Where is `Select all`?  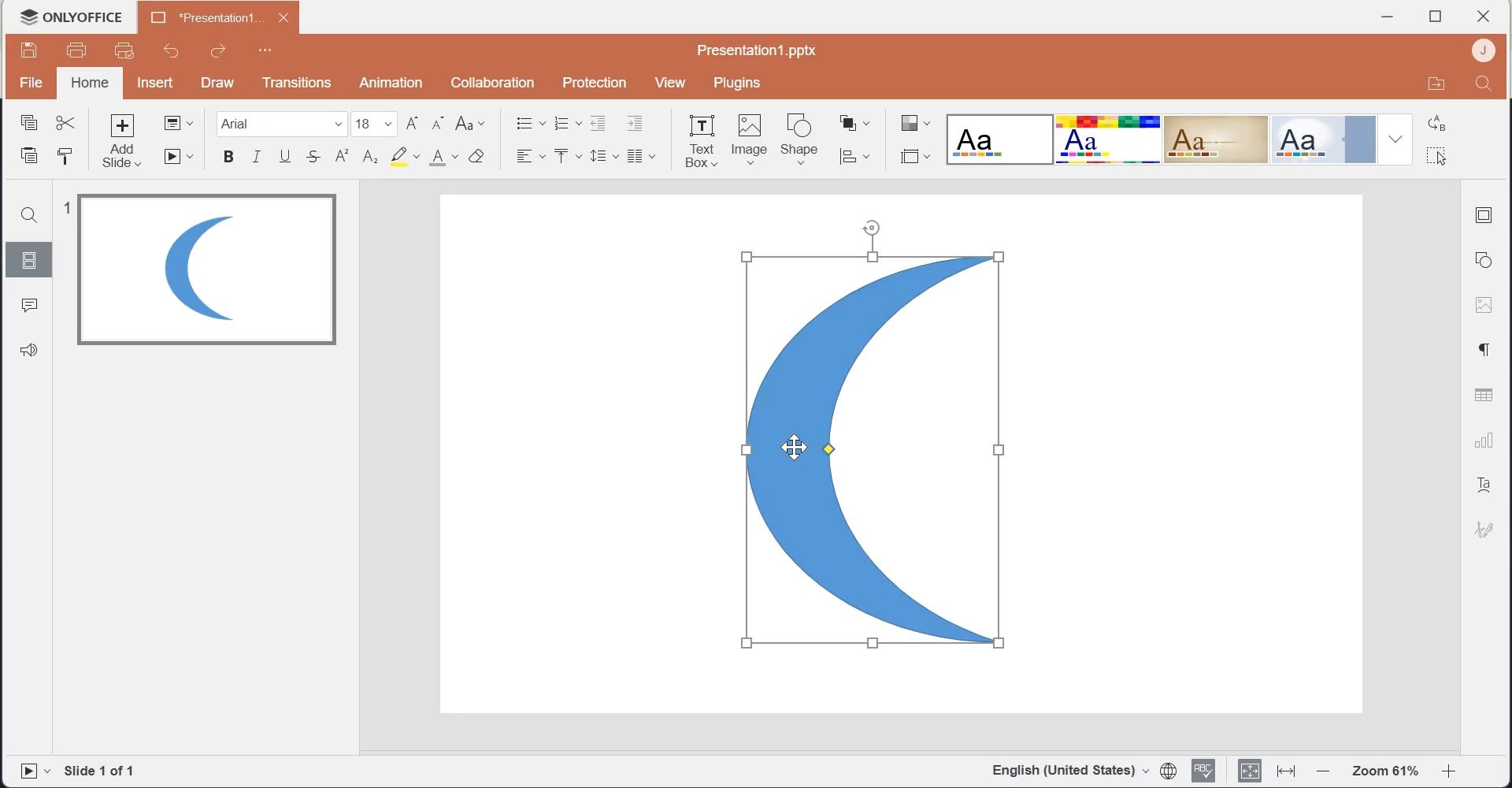
Select all is located at coordinates (1444, 153).